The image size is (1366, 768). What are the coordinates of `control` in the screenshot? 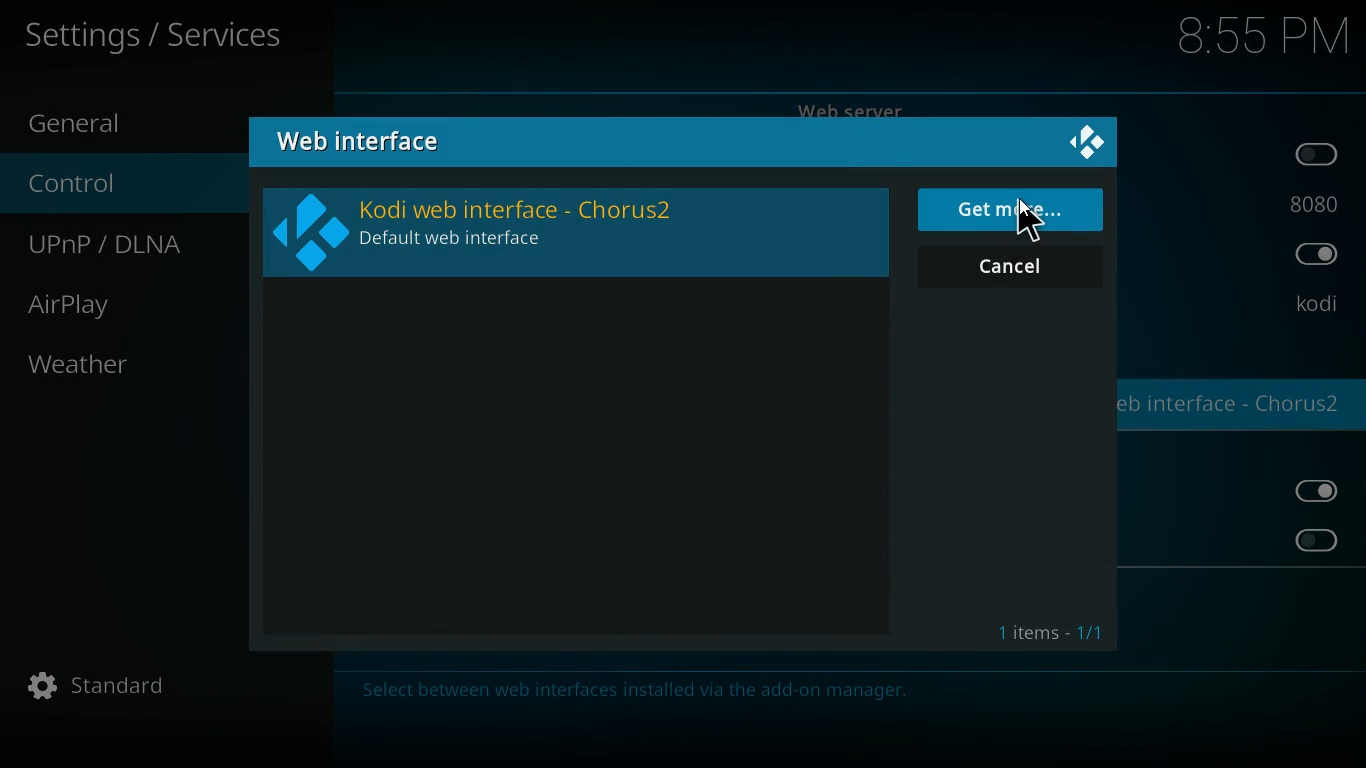 It's located at (96, 185).